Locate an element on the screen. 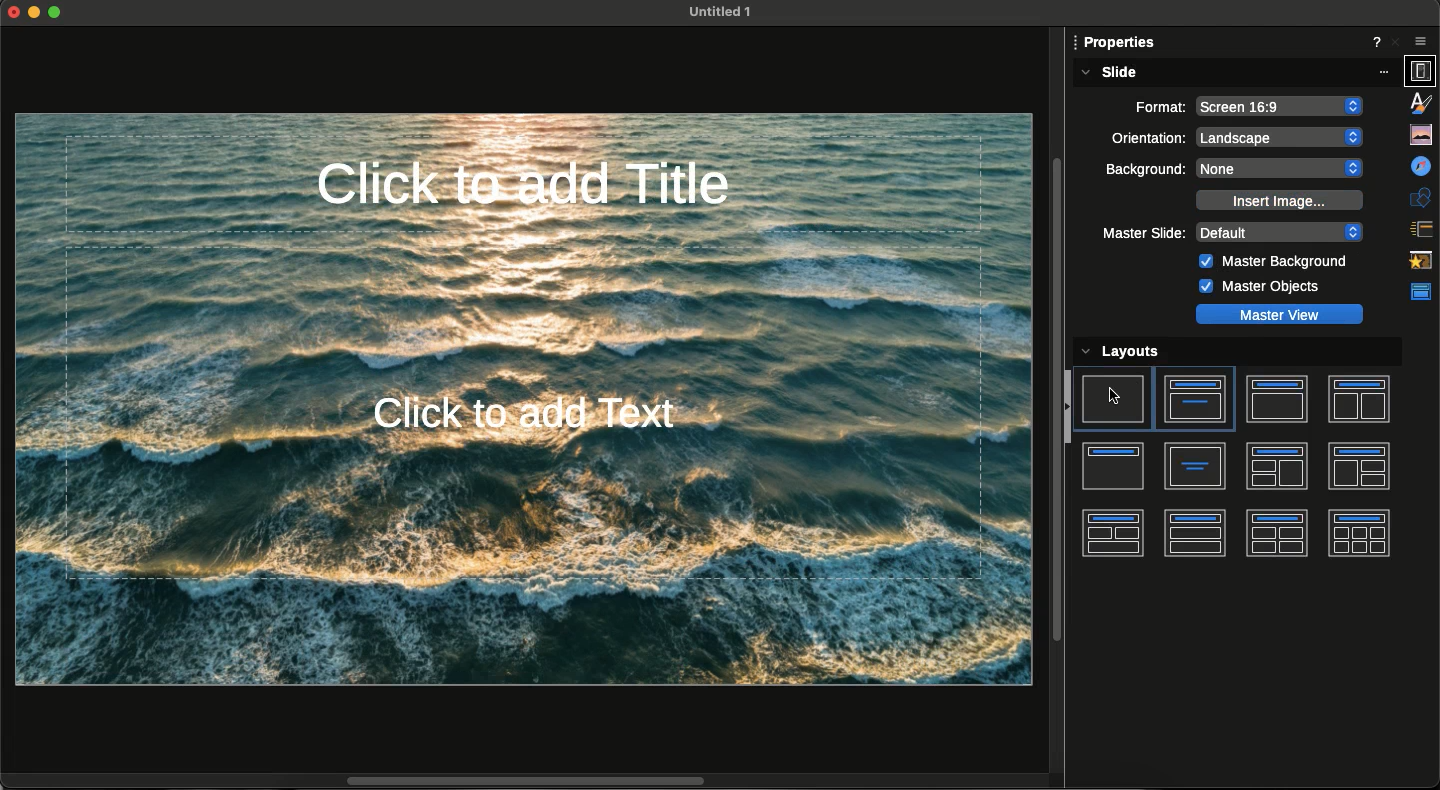  Layouts is located at coordinates (1141, 350).